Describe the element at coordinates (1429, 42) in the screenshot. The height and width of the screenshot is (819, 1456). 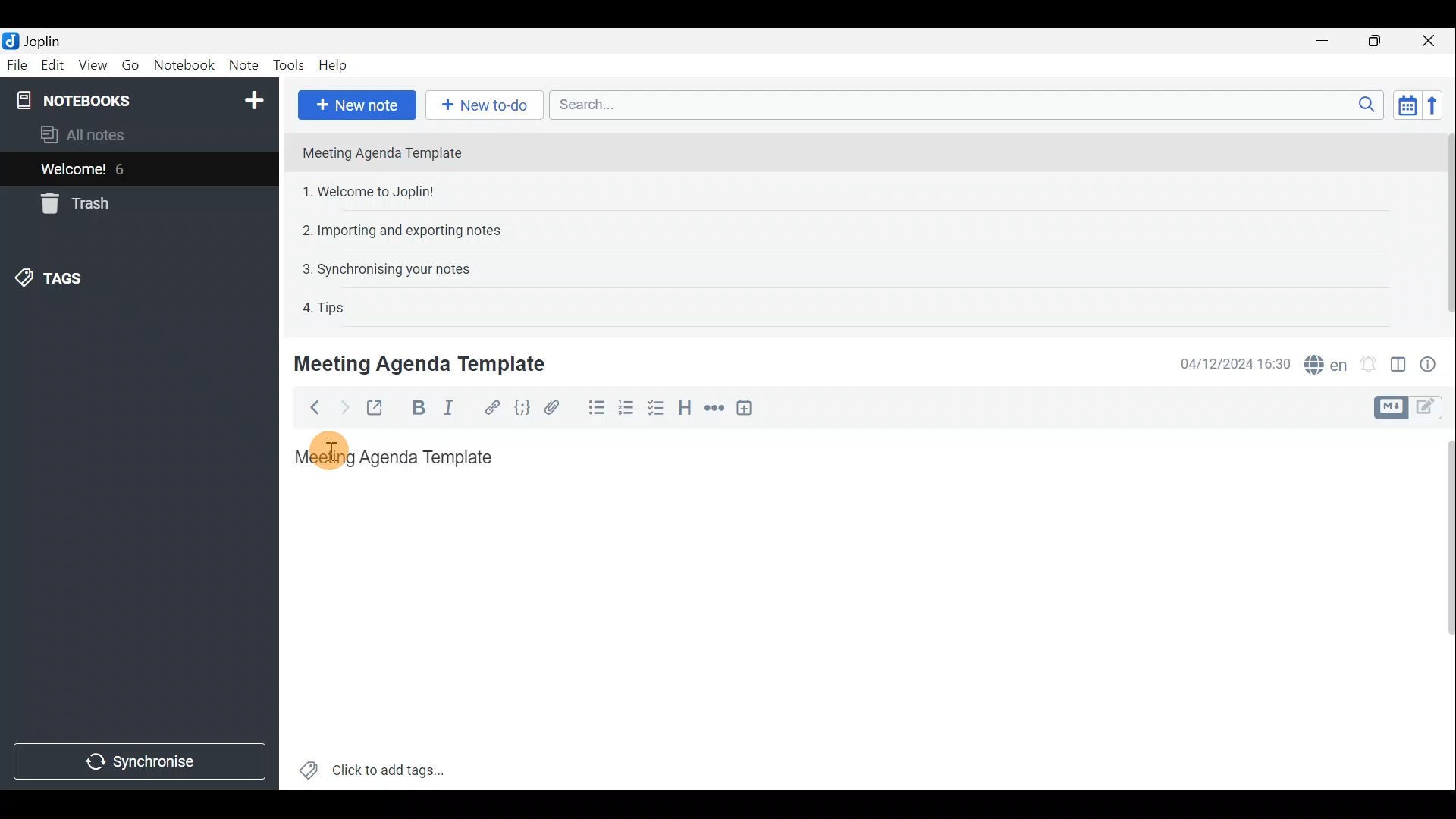
I see `Close` at that location.